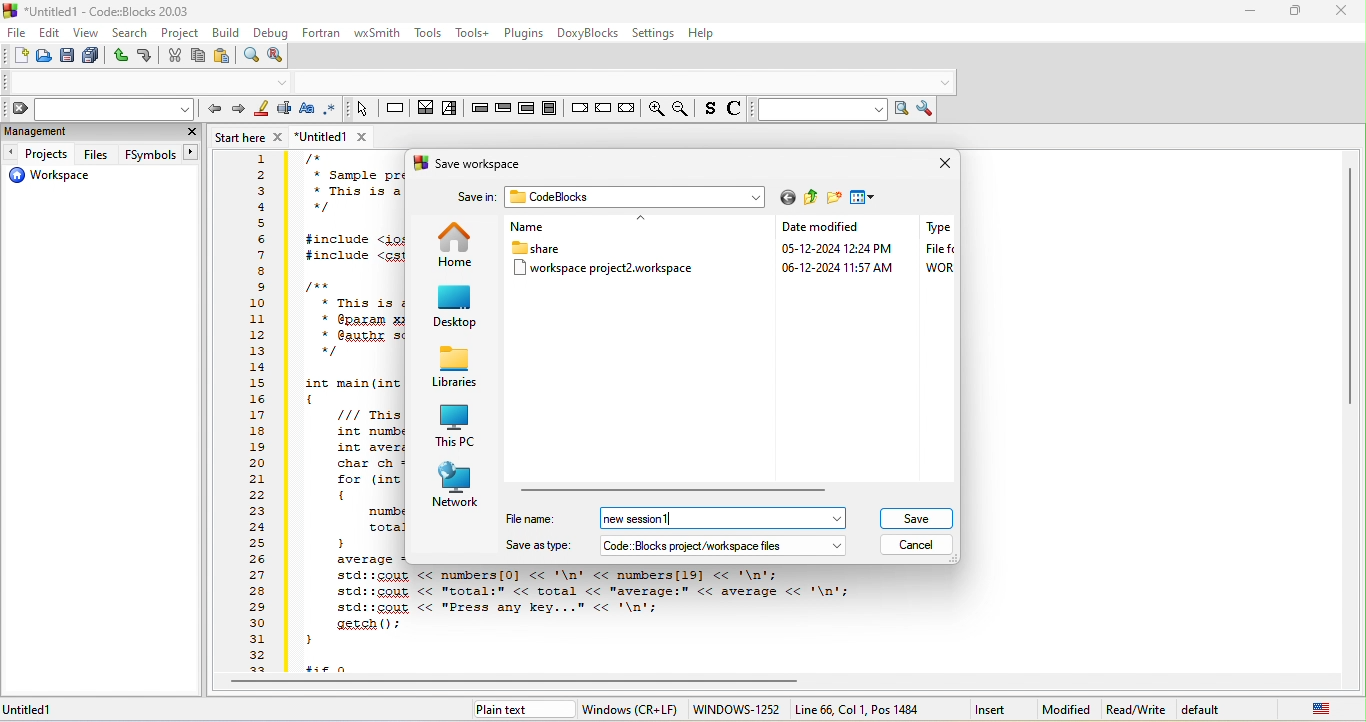  What do you see at coordinates (918, 545) in the screenshot?
I see `cancel` at bounding box center [918, 545].